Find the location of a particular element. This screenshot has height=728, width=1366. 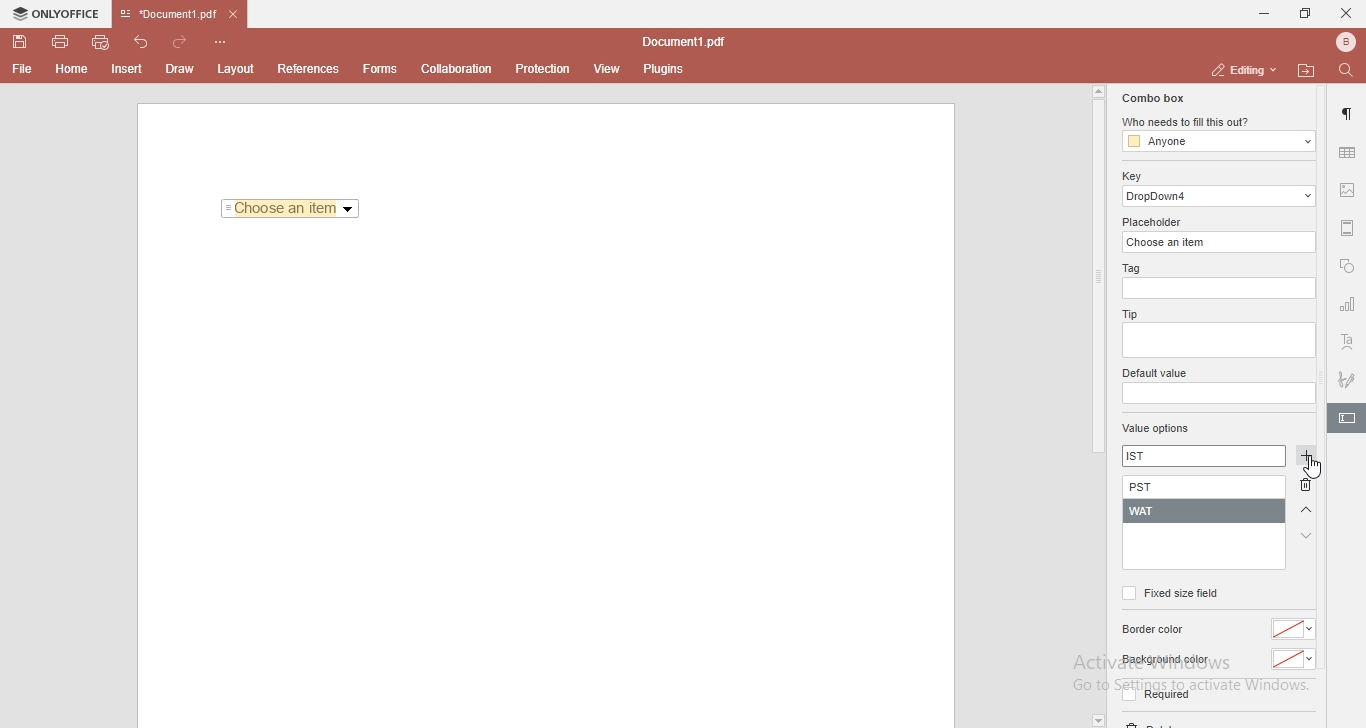

signature is located at coordinates (1348, 376).